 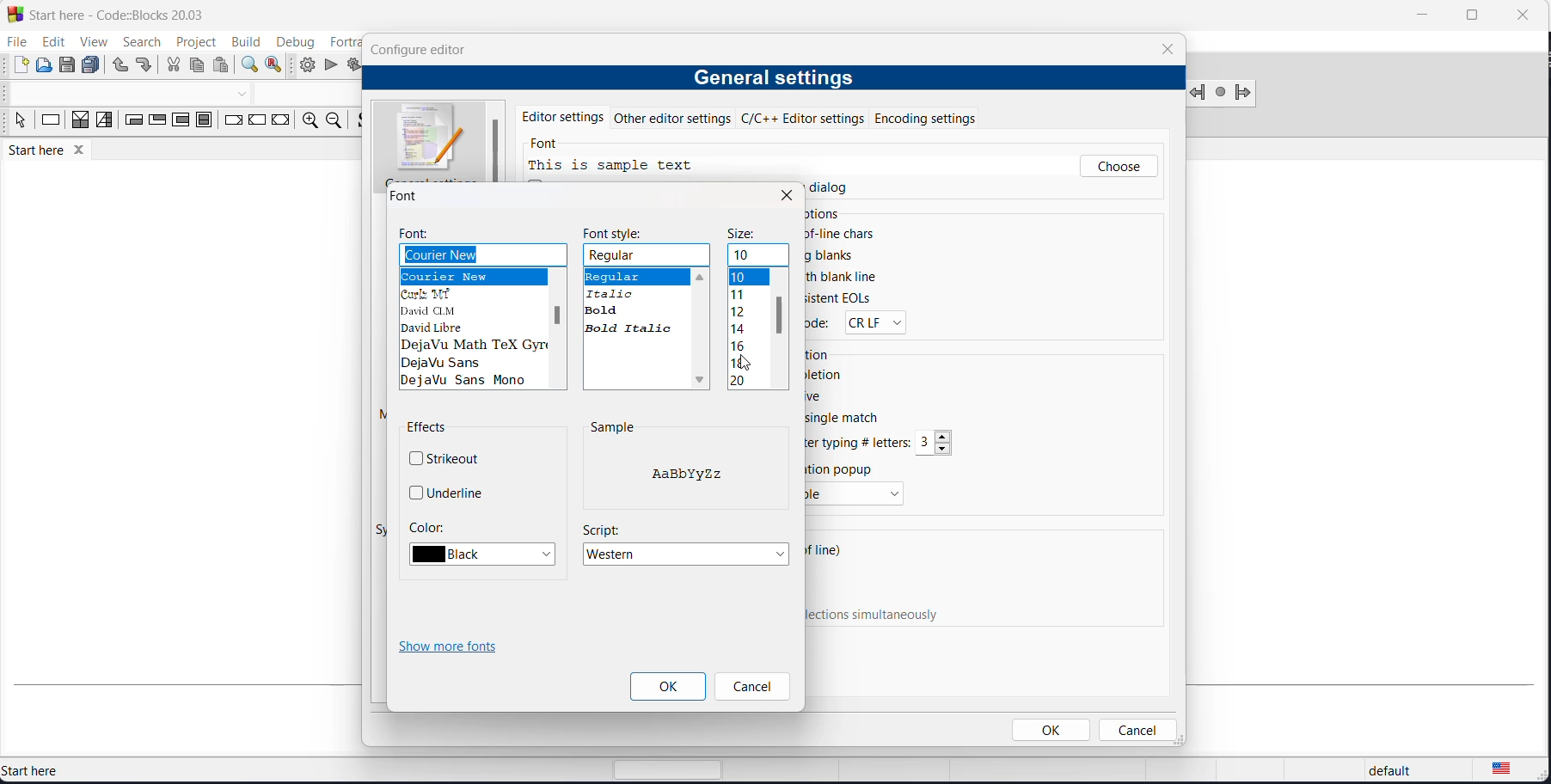 I want to click on general settings, so click(x=772, y=79).